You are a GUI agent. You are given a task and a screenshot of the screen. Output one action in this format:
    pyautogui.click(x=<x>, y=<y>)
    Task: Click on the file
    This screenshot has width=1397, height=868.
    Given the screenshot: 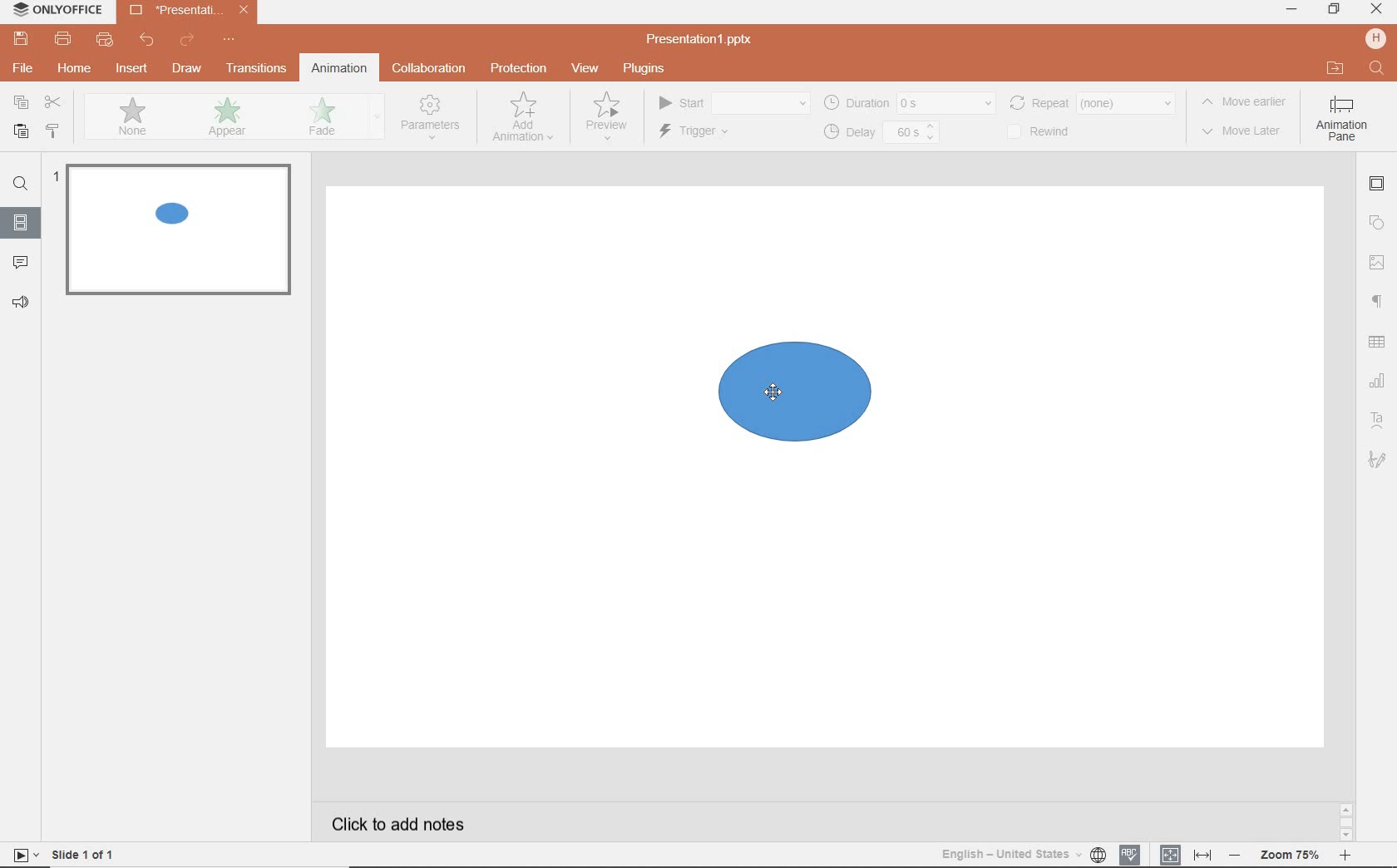 What is the action you would take?
    pyautogui.click(x=21, y=71)
    